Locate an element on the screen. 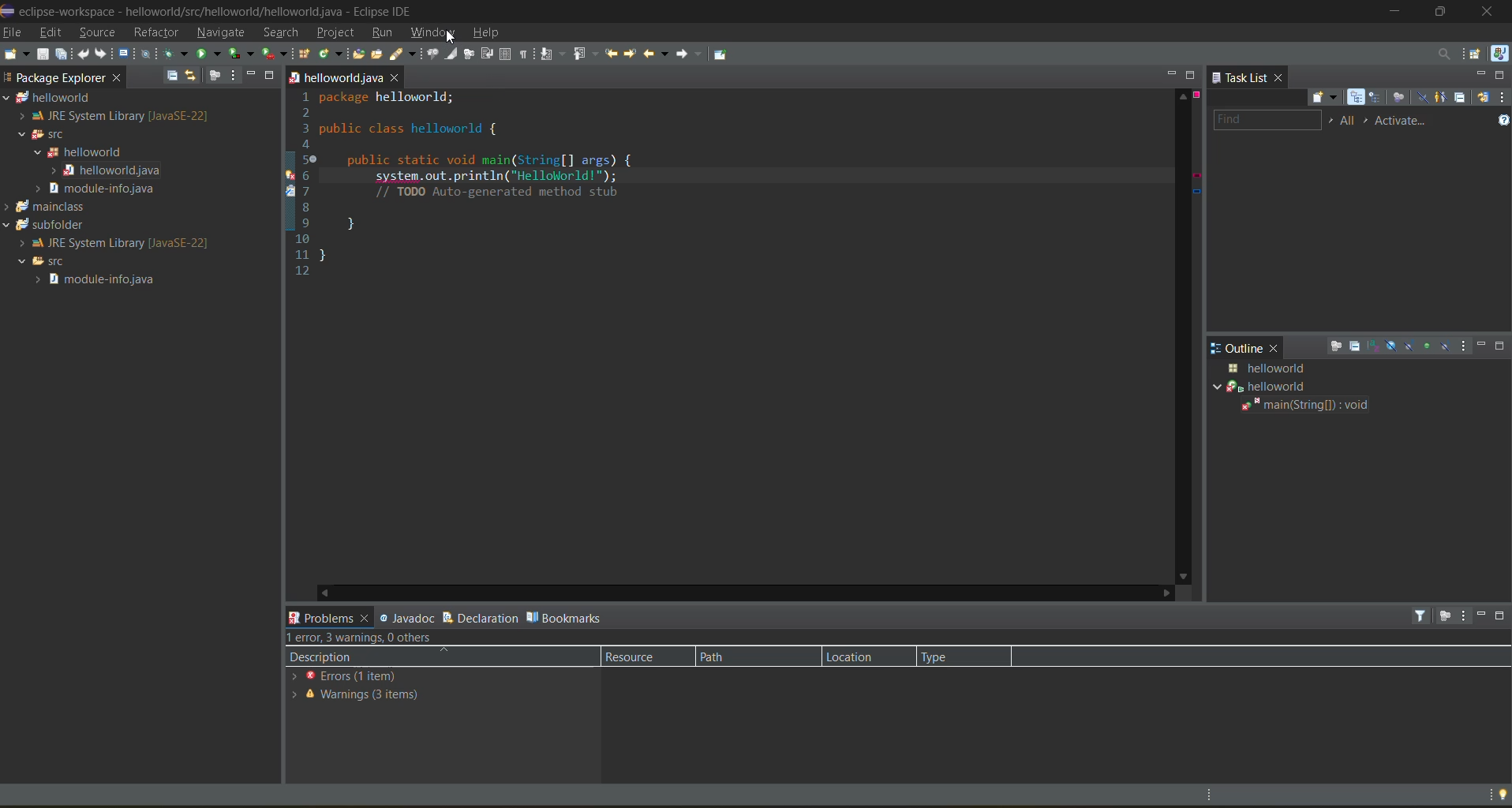  minimize is located at coordinates (1171, 73).